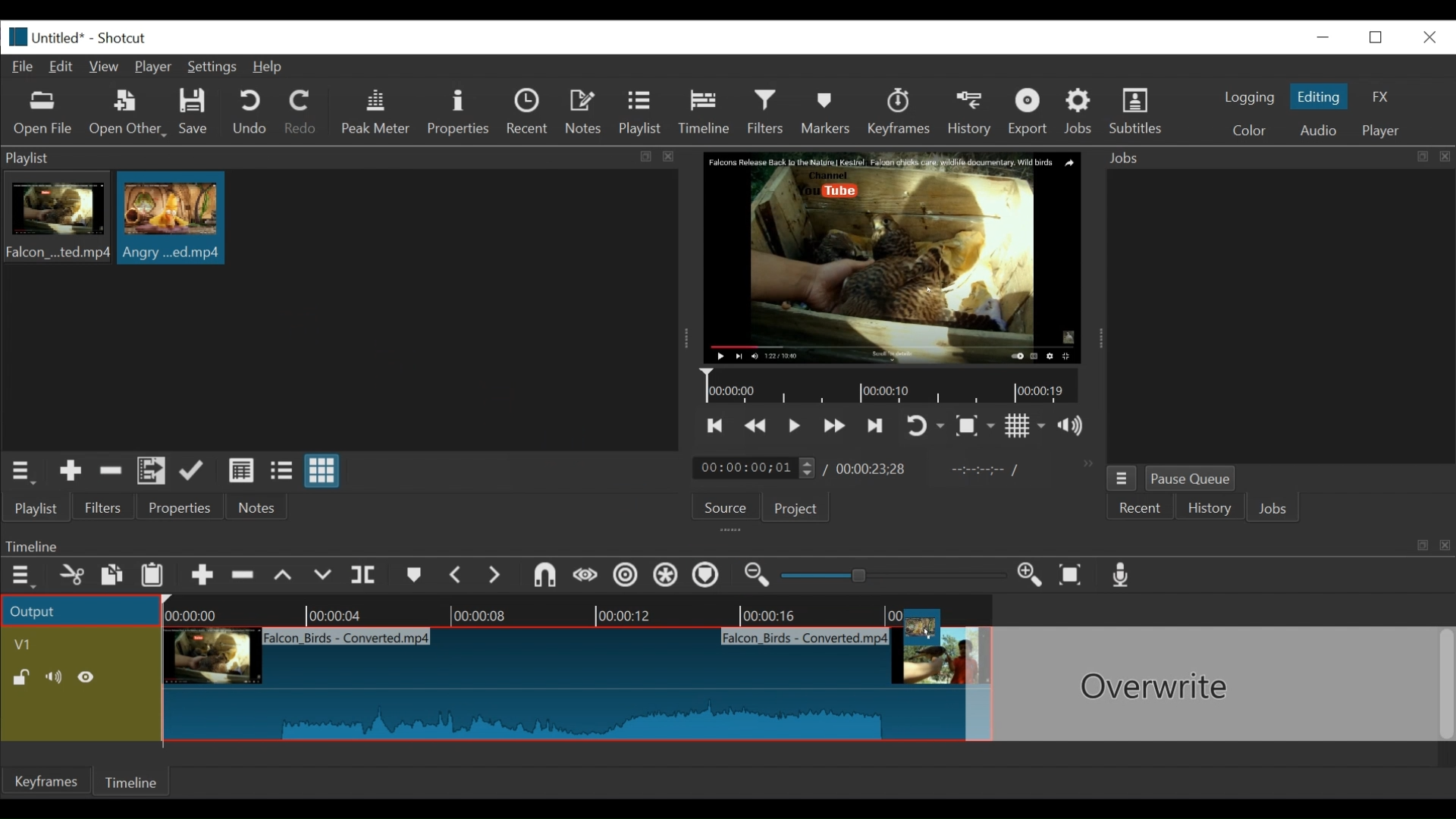 Image resolution: width=1456 pixels, height=819 pixels. Describe the element at coordinates (245, 578) in the screenshot. I see `Remove cut` at that location.